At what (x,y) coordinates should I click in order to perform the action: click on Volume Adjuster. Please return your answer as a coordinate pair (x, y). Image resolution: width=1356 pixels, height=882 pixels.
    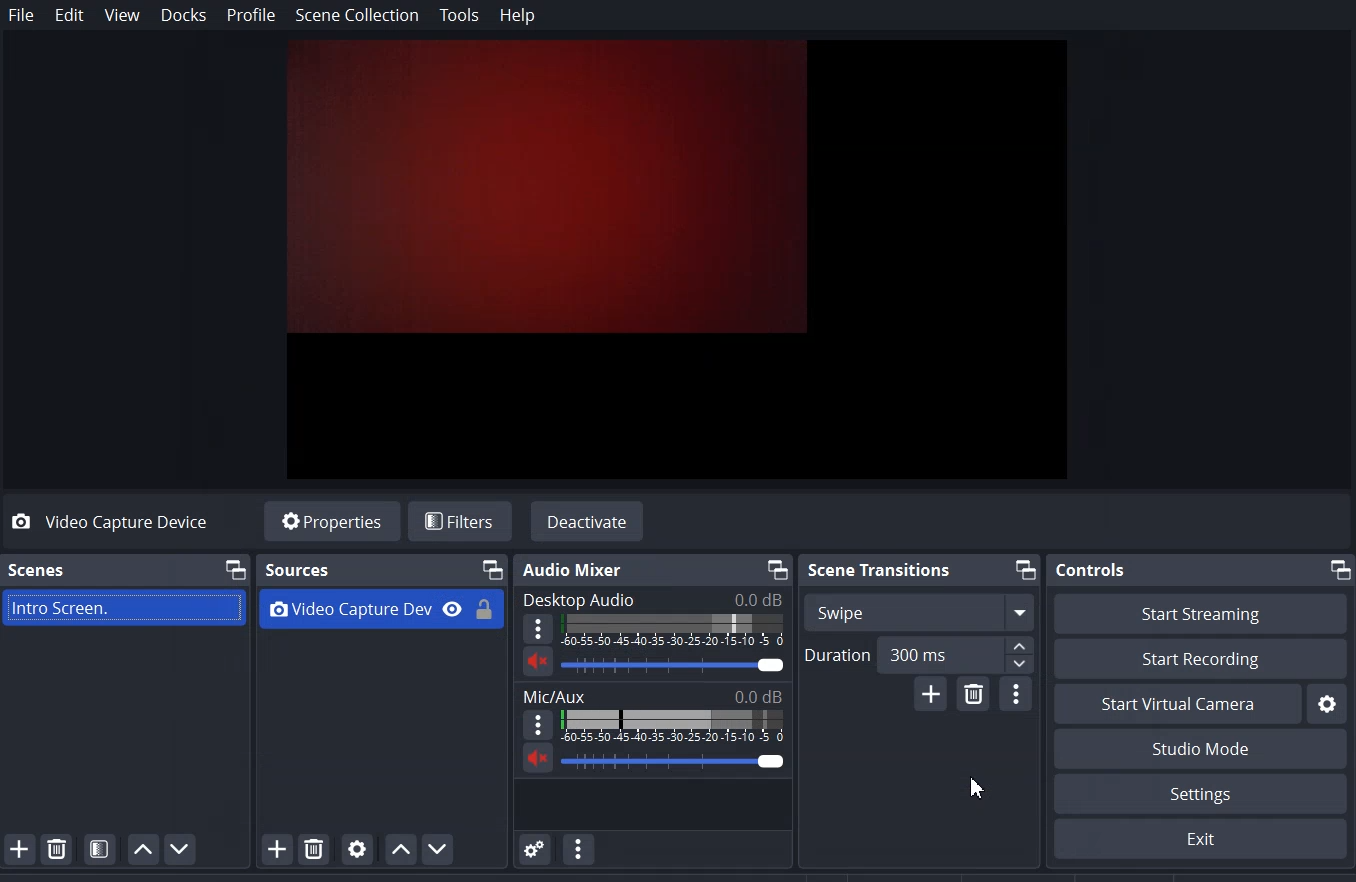
    Looking at the image, I should click on (675, 759).